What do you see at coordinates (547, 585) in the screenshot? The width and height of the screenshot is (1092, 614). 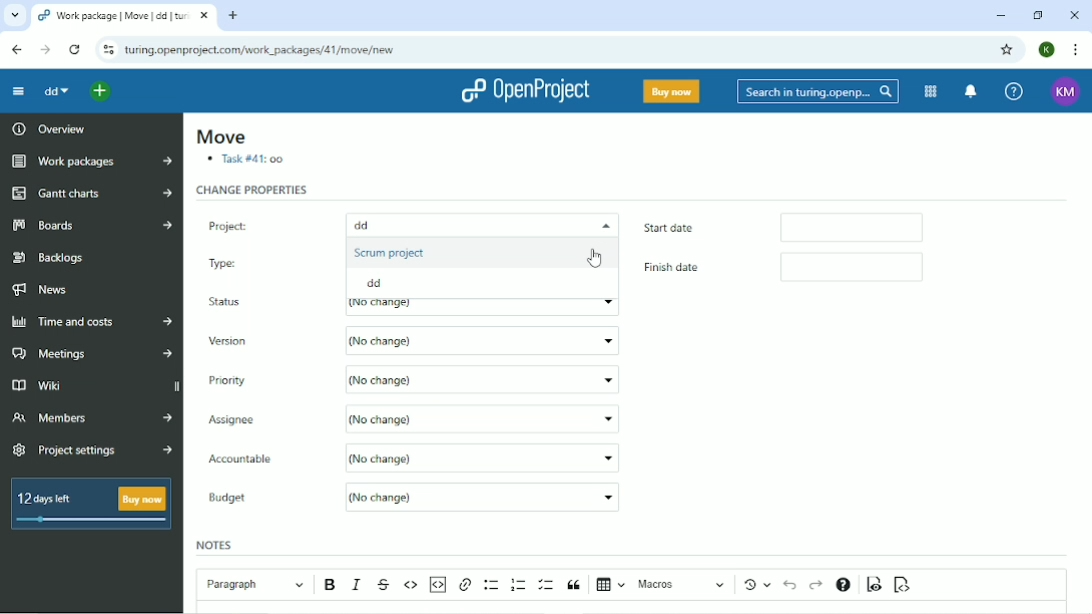 I see `To-do list` at bounding box center [547, 585].